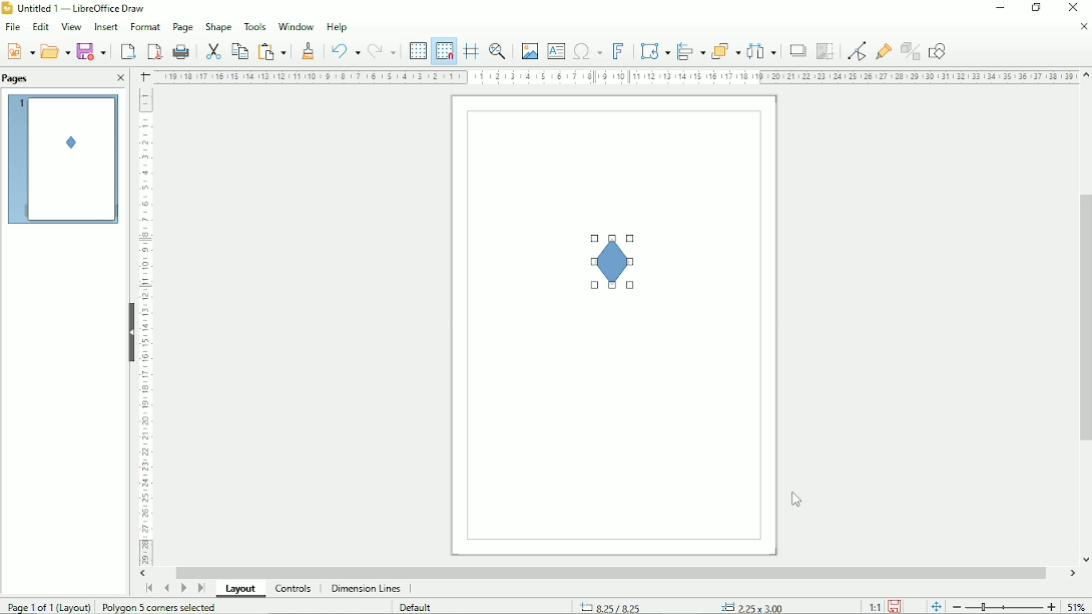  Describe the element at coordinates (126, 50) in the screenshot. I see `Export` at that location.